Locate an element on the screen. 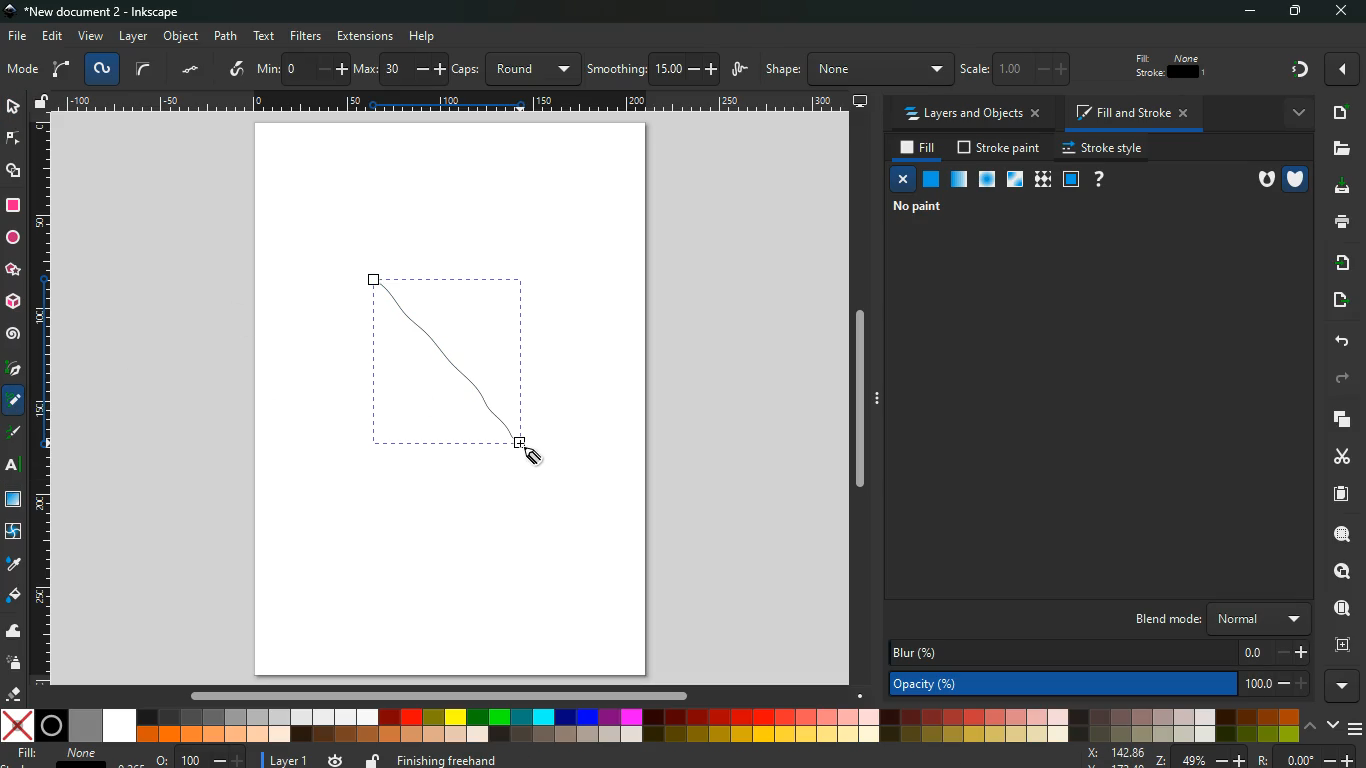 The image size is (1366, 768). maximize is located at coordinates (1290, 11).